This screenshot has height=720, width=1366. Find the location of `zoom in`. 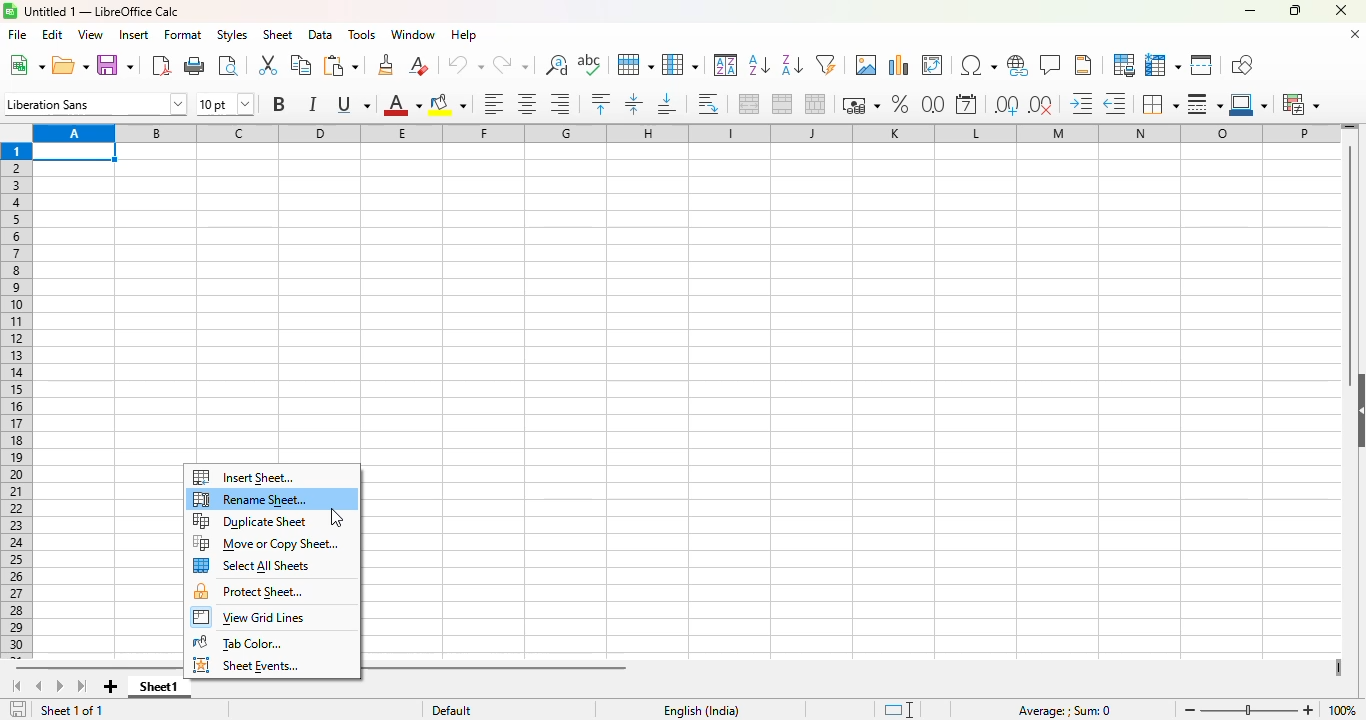

zoom in is located at coordinates (1309, 710).